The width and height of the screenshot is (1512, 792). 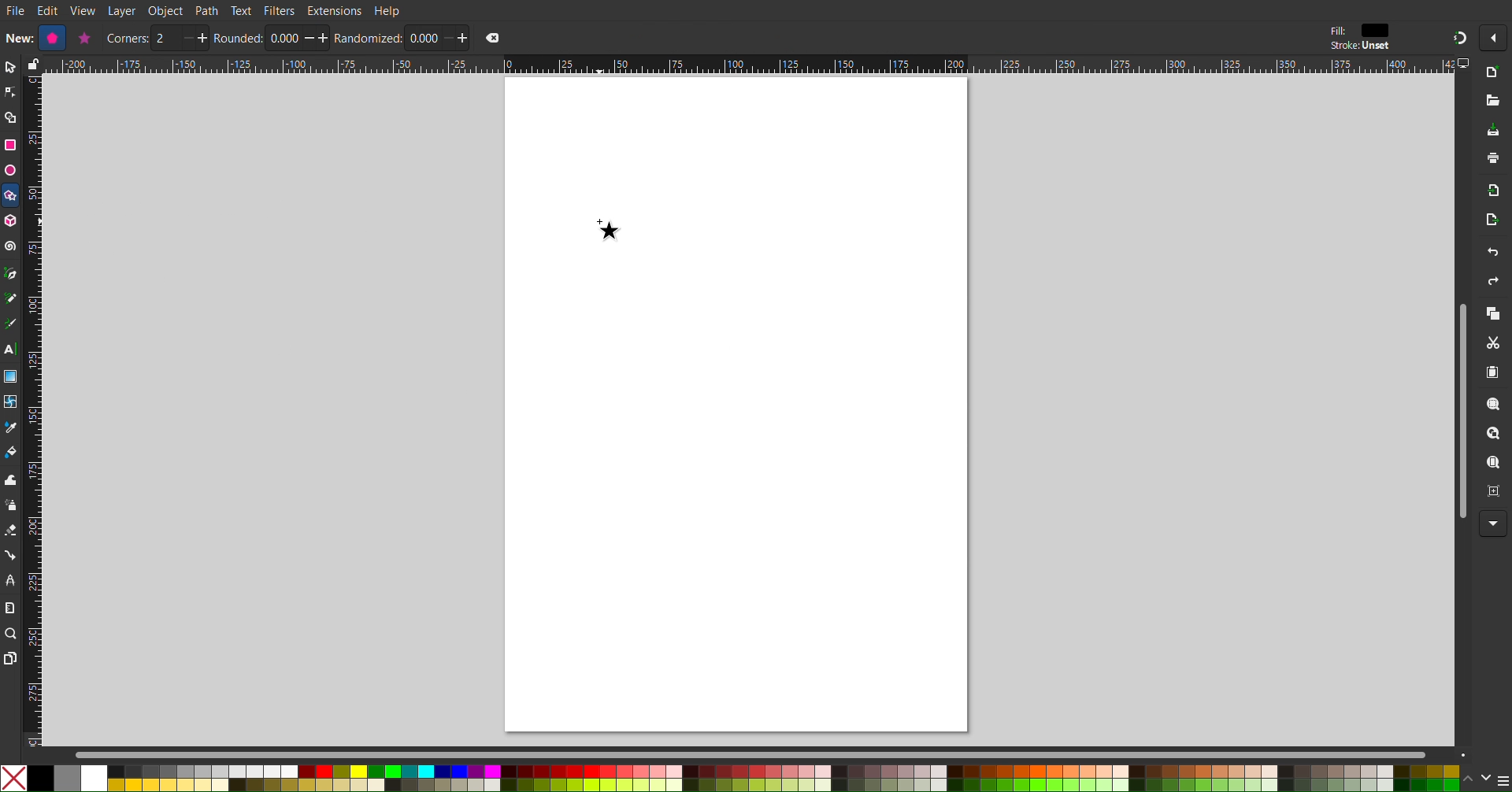 I want to click on Vertical Ruler, so click(x=32, y=410).